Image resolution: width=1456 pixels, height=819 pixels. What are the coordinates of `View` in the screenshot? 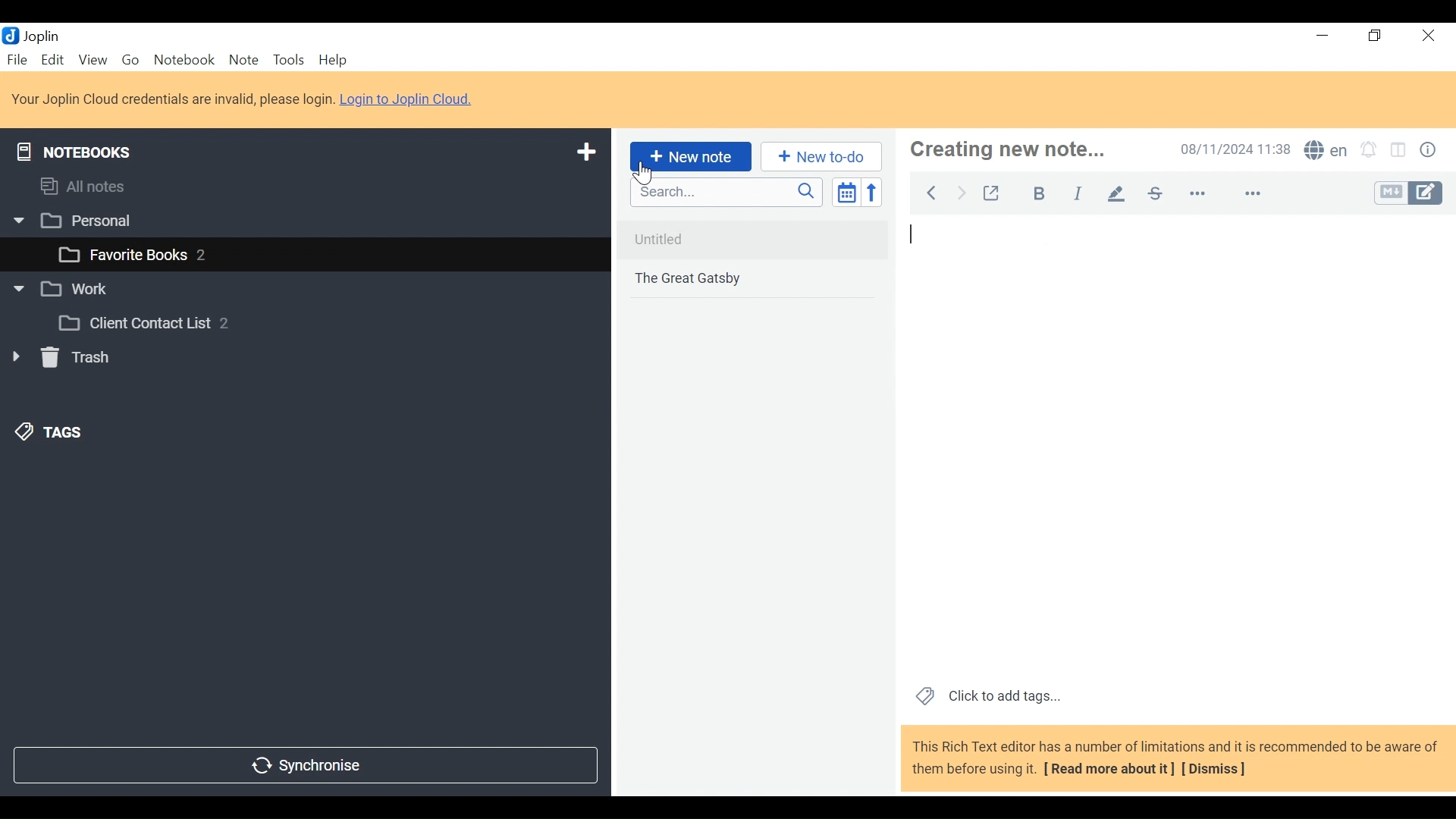 It's located at (93, 61).